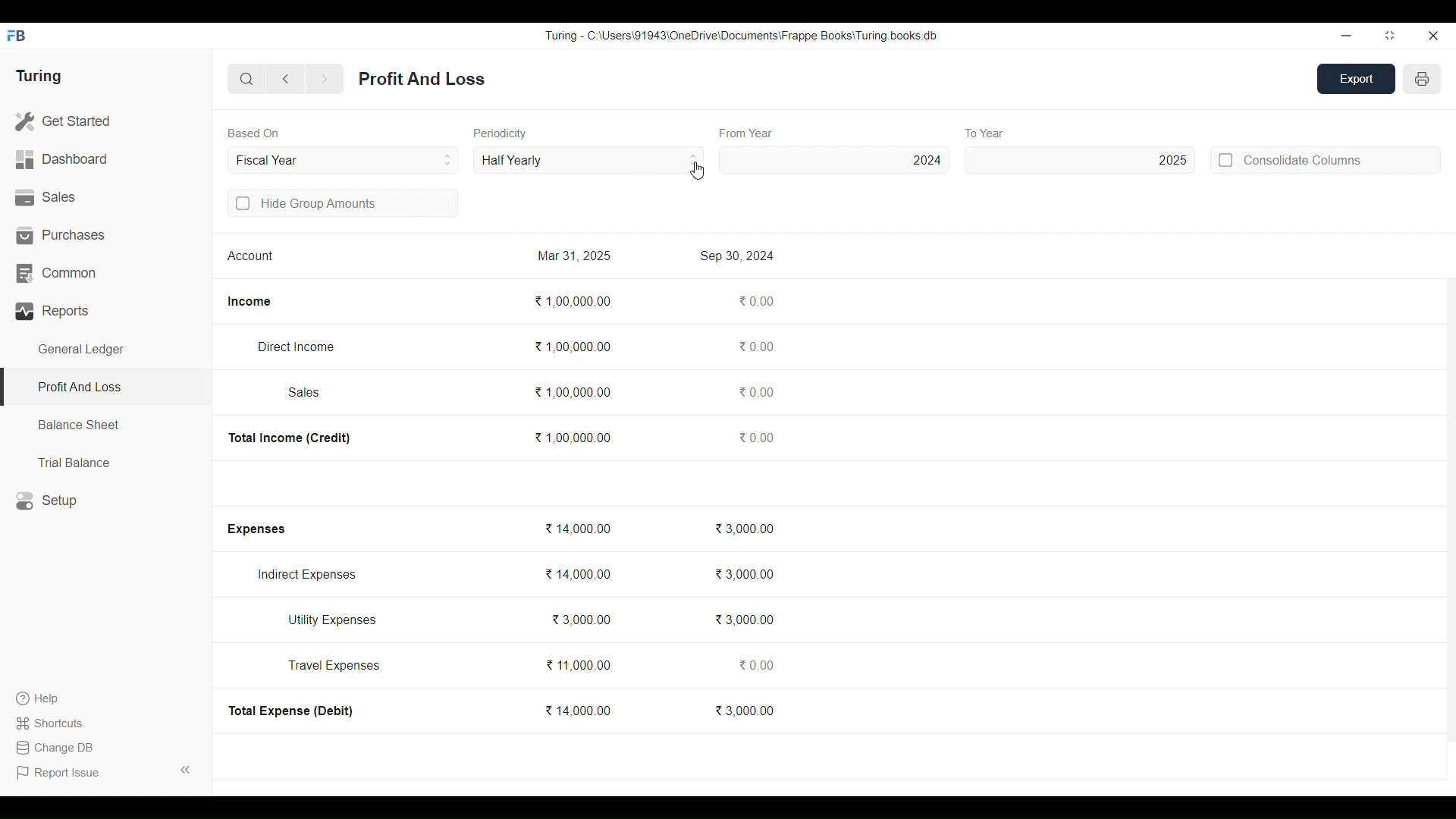 This screenshot has width=1456, height=819. What do you see at coordinates (743, 620) in the screenshot?
I see `3,000.00` at bounding box center [743, 620].